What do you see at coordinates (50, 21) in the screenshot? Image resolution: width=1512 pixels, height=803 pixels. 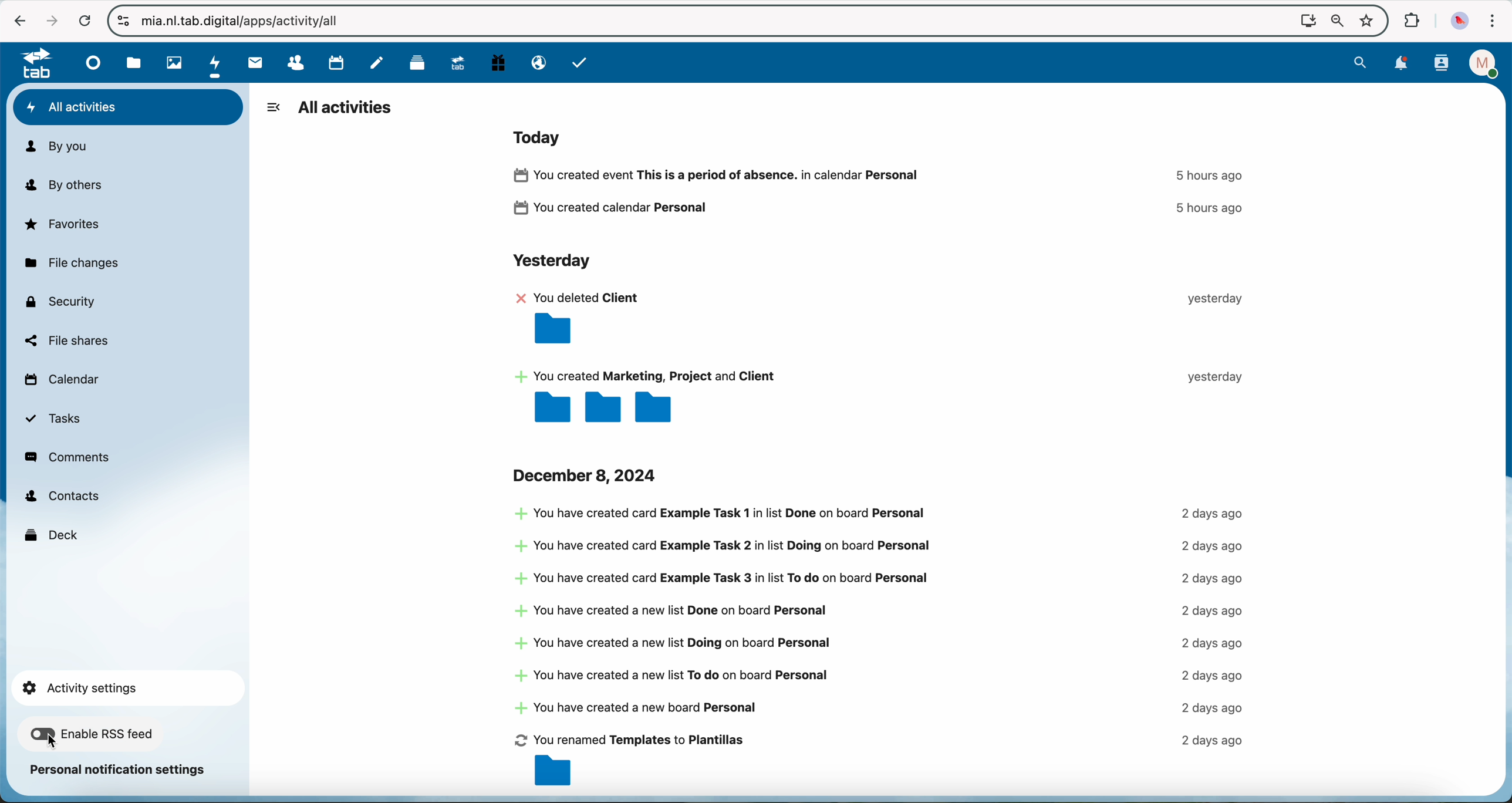 I see `navigate foward` at bounding box center [50, 21].